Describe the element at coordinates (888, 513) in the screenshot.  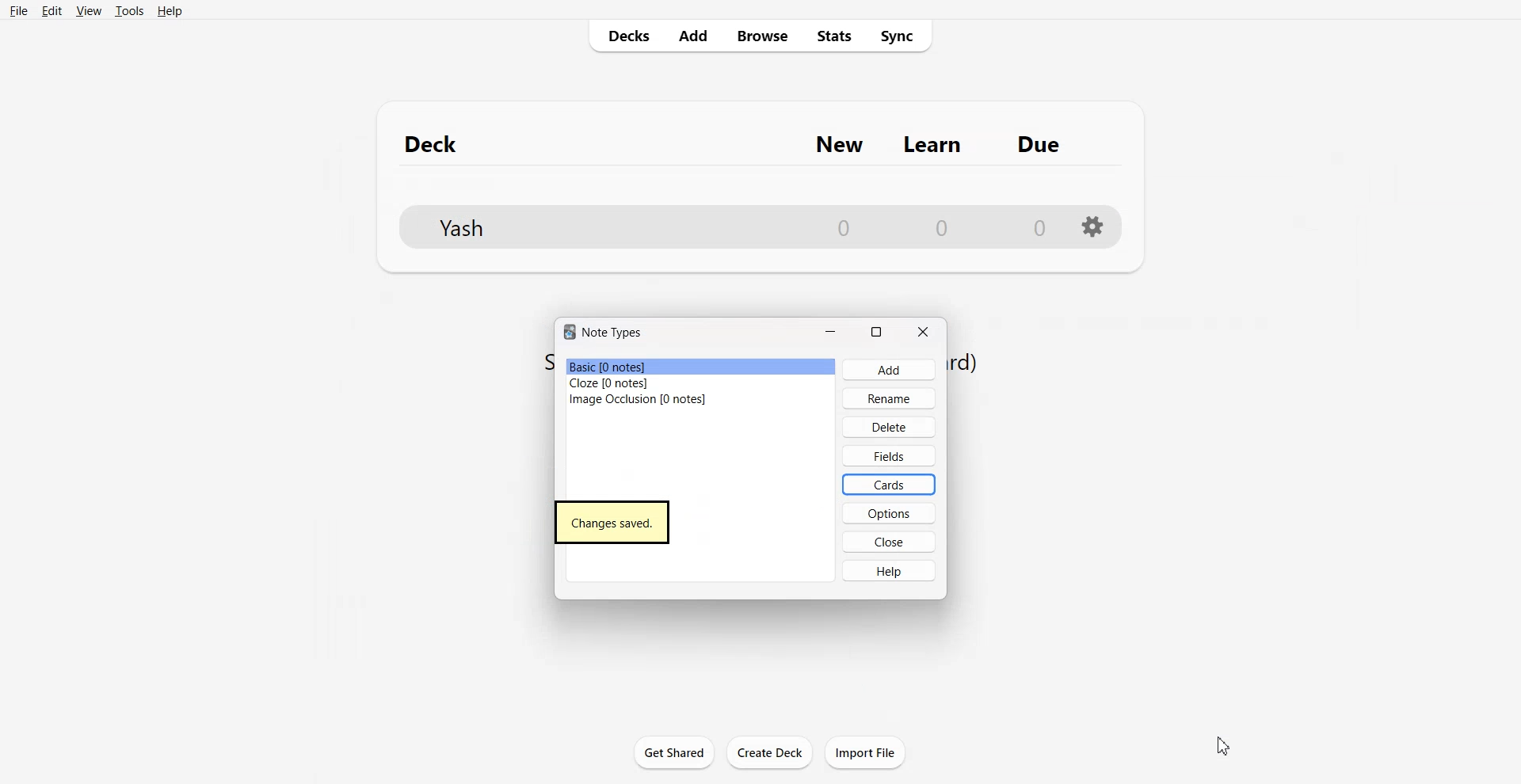
I see `Options` at that location.